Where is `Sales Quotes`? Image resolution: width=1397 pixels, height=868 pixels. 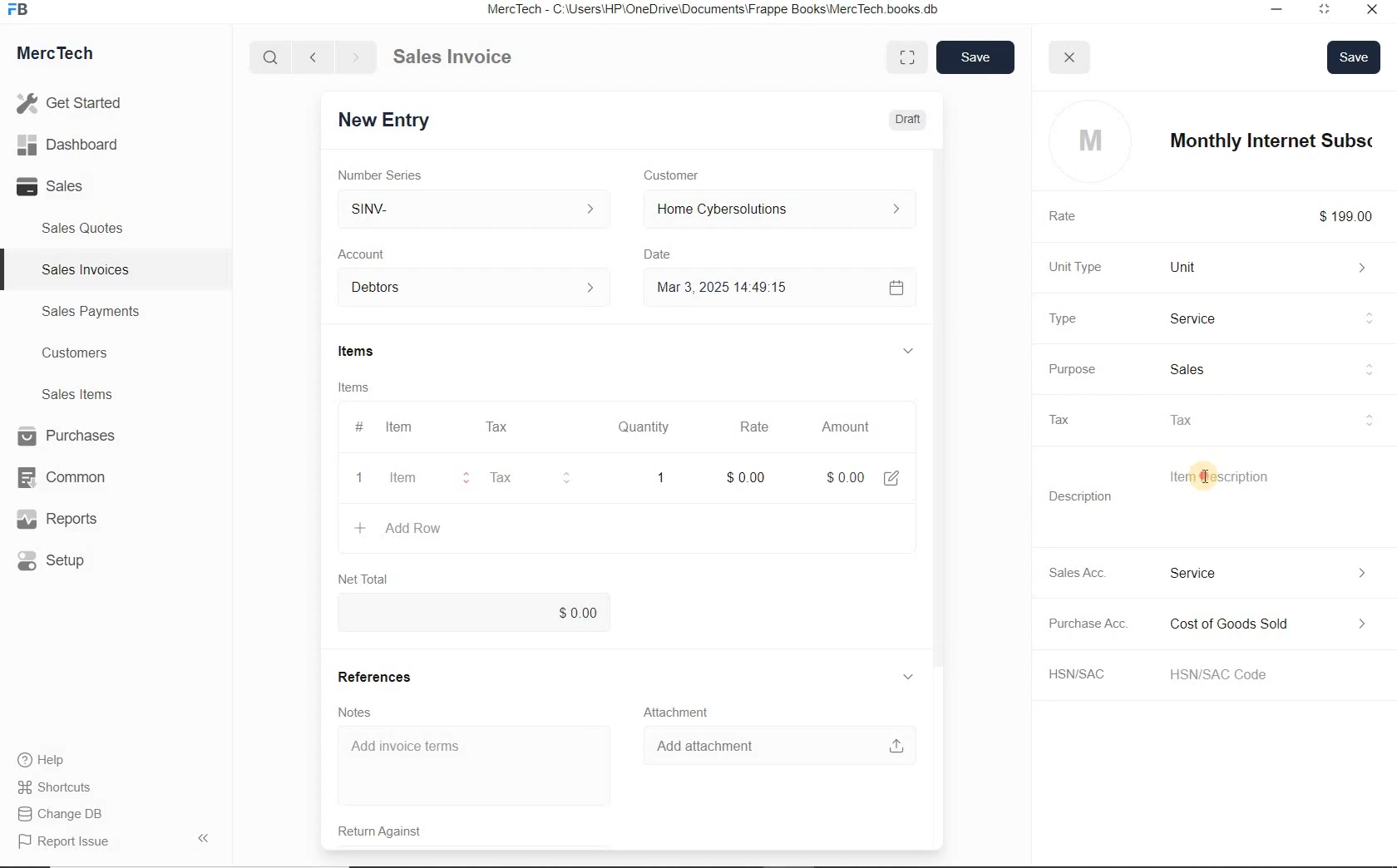
Sales Quotes is located at coordinates (86, 228).